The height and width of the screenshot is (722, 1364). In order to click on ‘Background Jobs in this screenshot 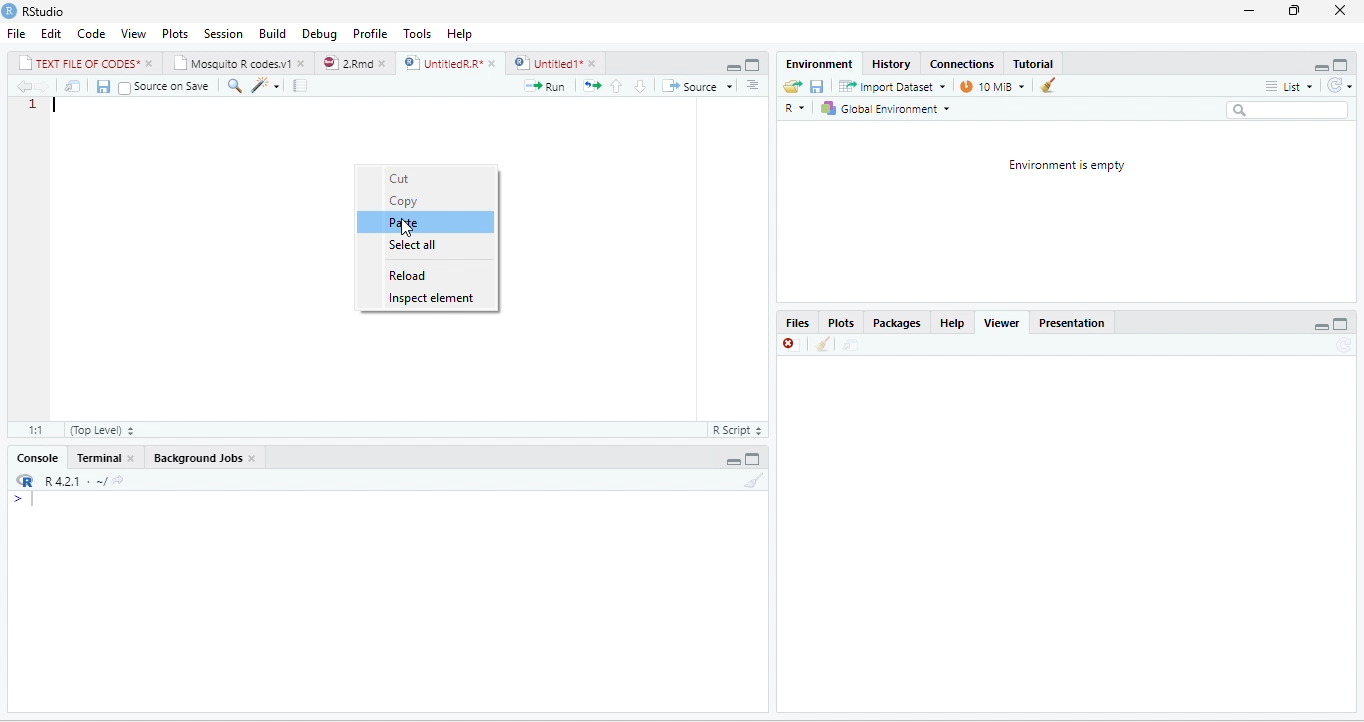, I will do `click(195, 457)`.